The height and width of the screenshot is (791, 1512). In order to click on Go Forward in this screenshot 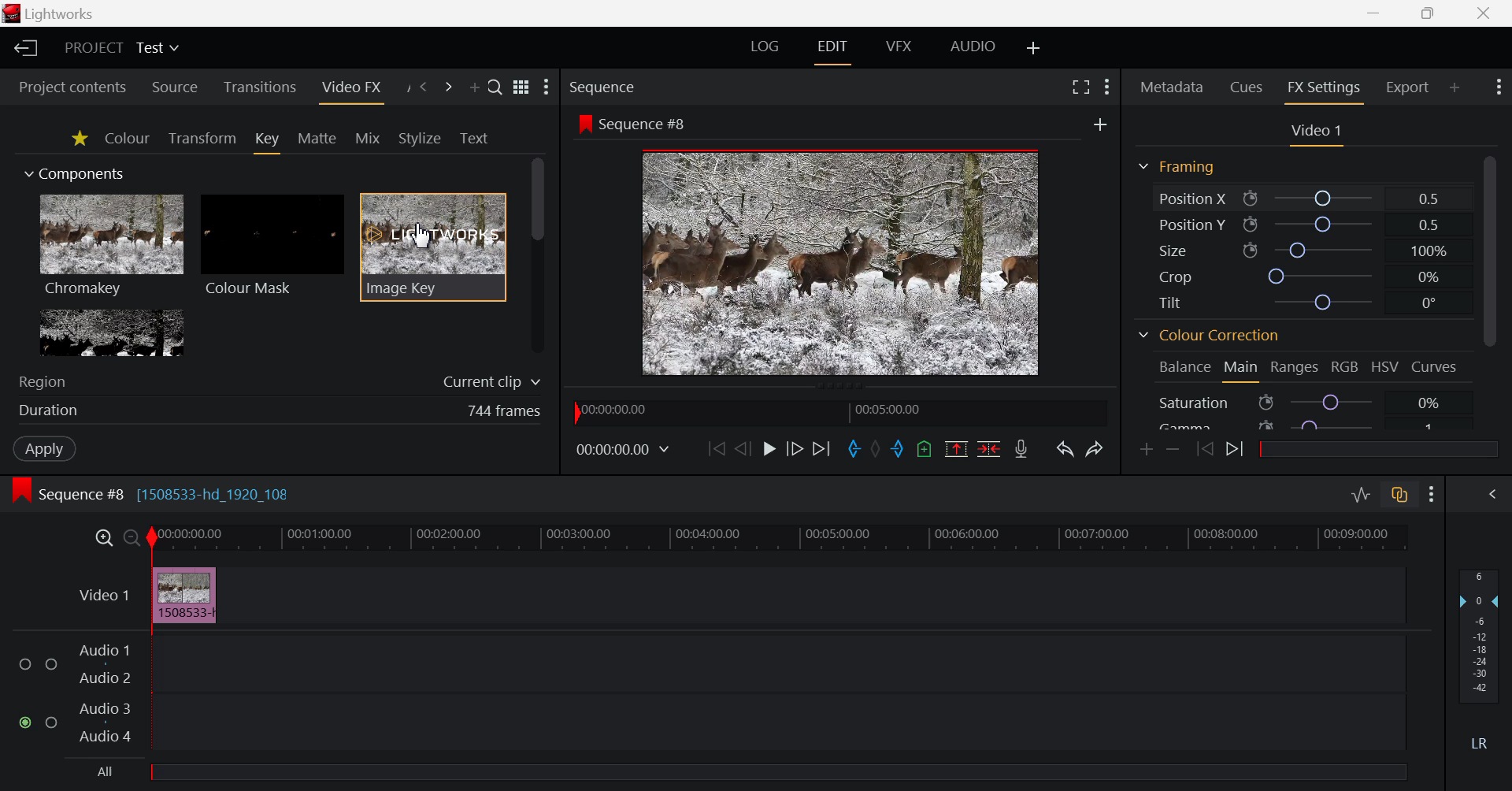, I will do `click(795, 448)`.